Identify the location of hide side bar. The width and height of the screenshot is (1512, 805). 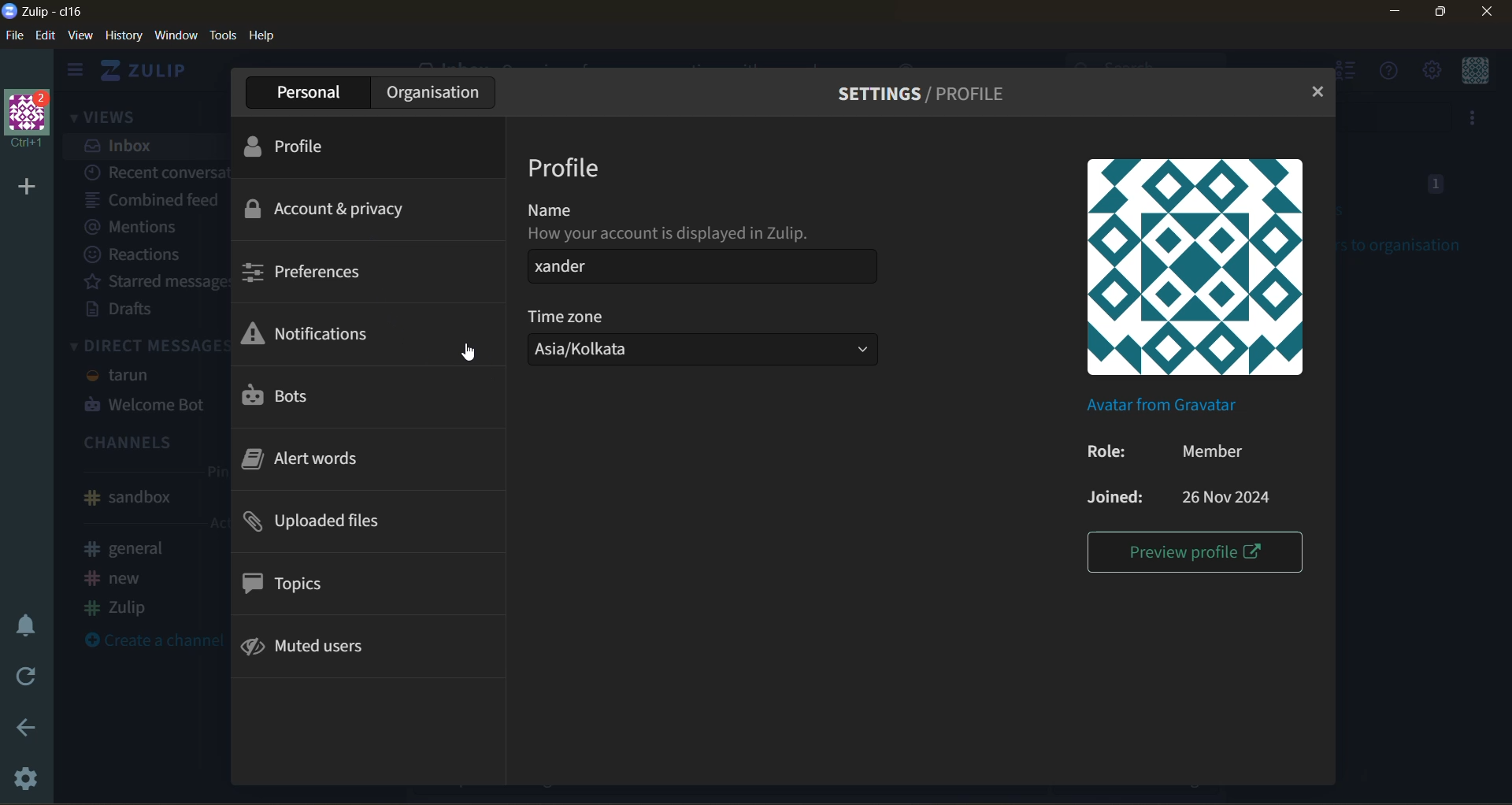
(75, 72).